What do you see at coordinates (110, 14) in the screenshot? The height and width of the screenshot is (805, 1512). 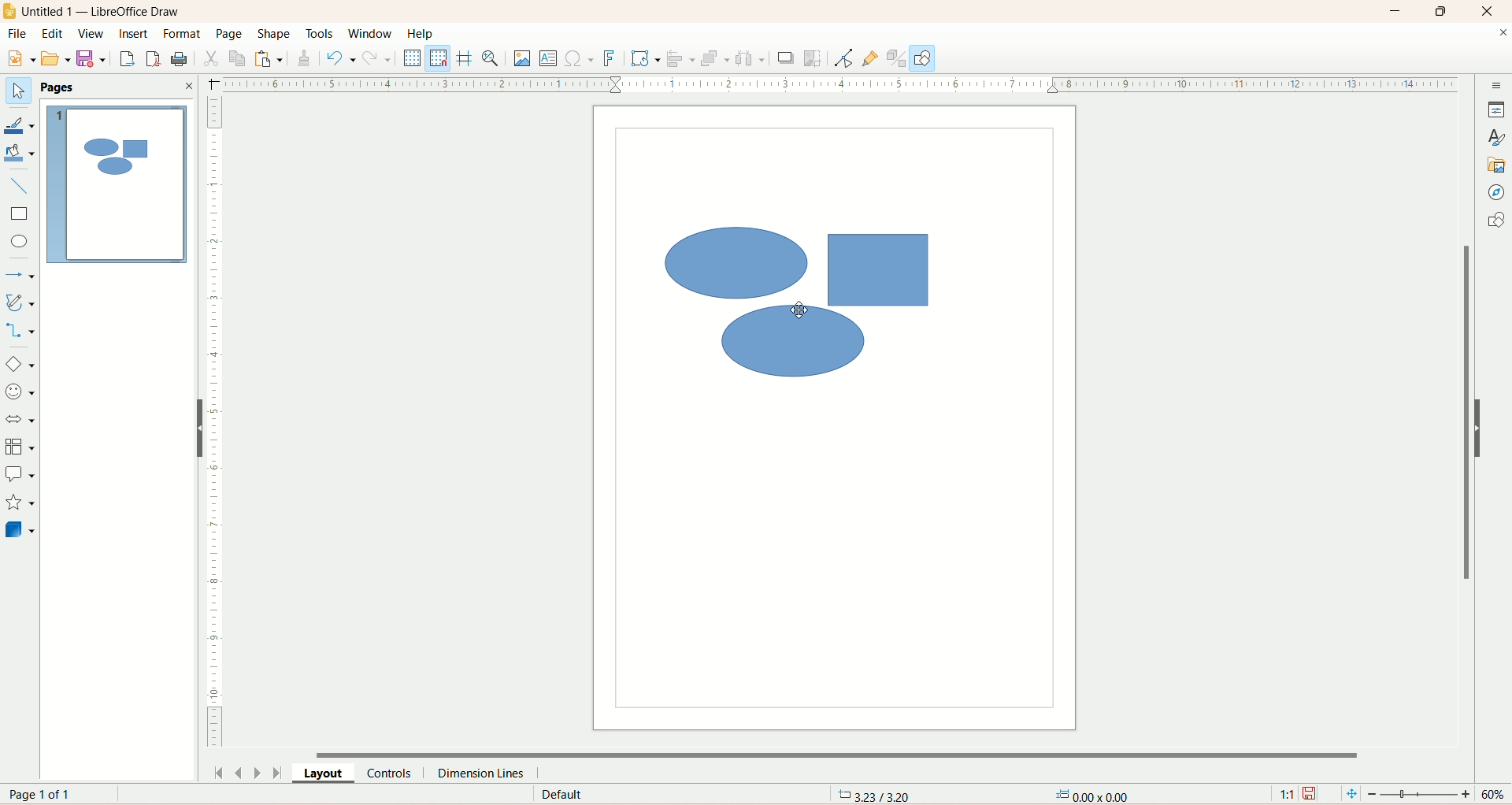 I see `title` at bounding box center [110, 14].